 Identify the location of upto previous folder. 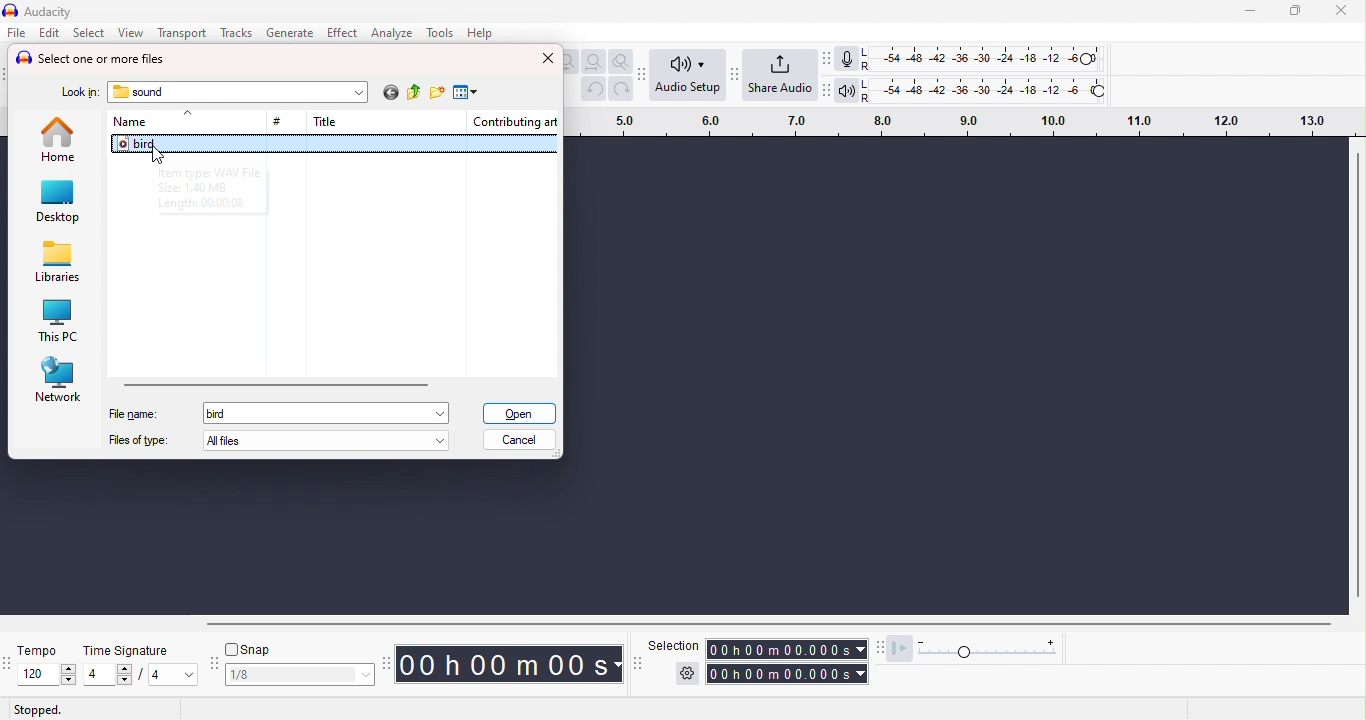
(415, 94).